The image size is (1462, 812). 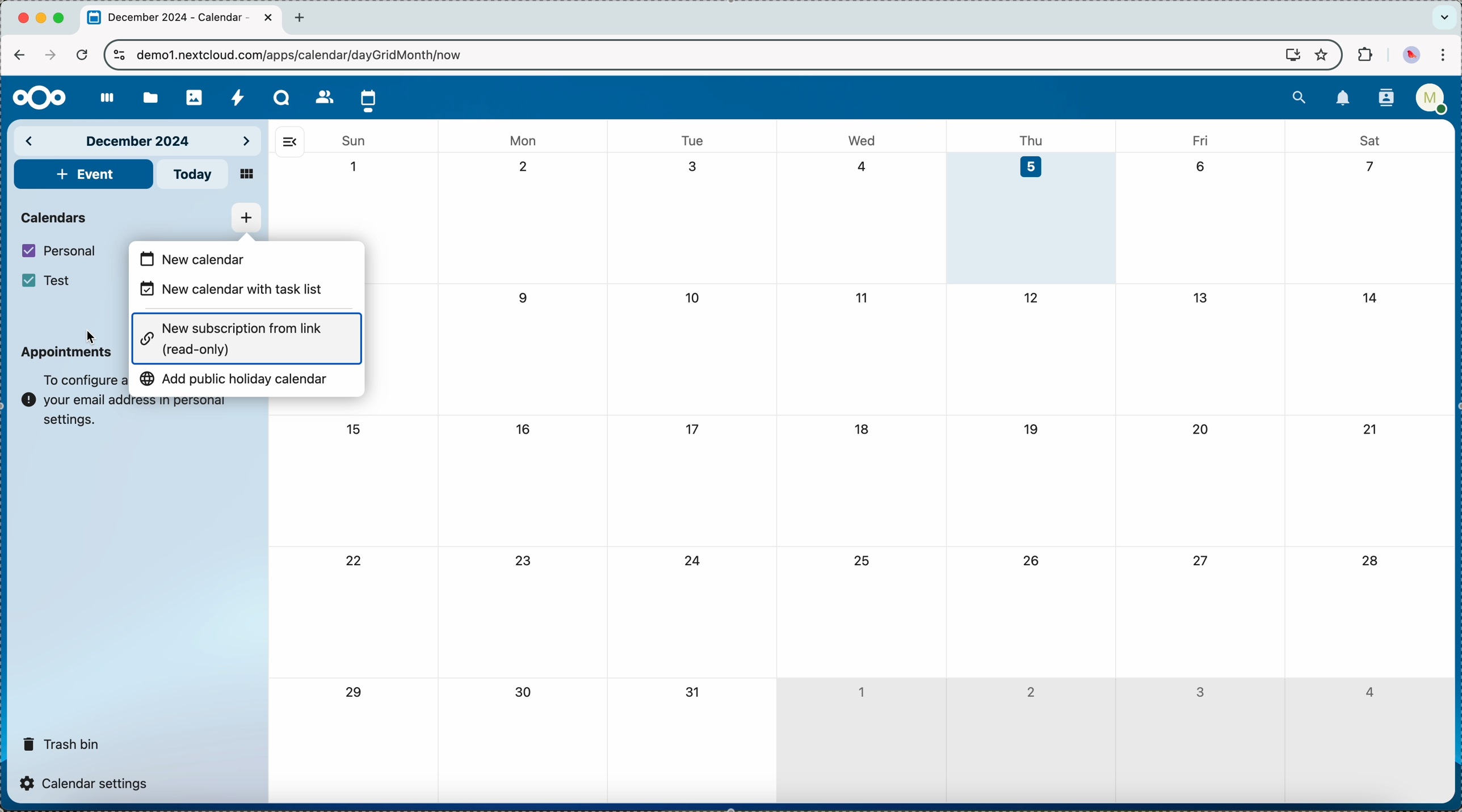 What do you see at coordinates (90, 337) in the screenshot?
I see `mouse` at bounding box center [90, 337].